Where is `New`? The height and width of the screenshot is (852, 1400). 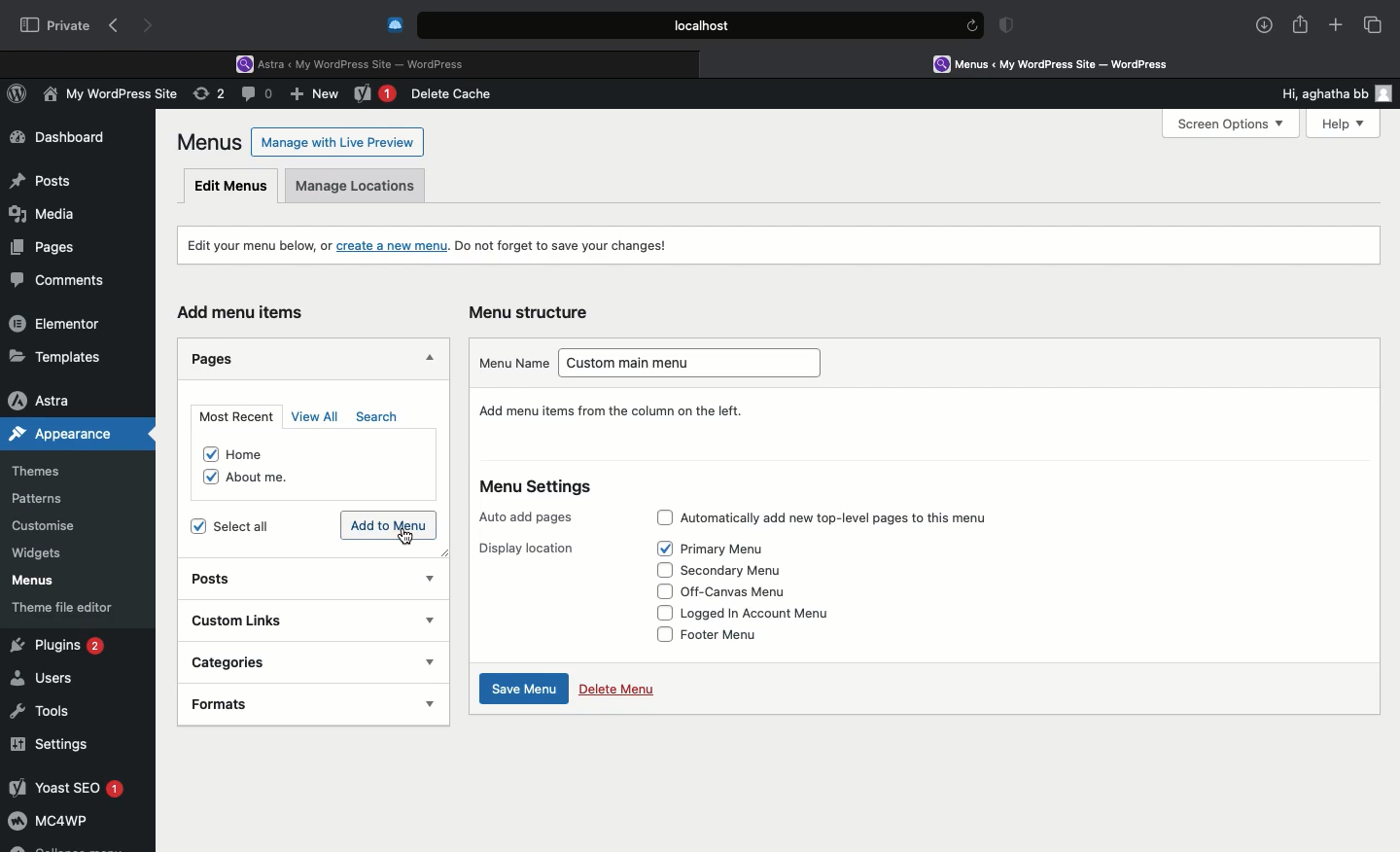 New is located at coordinates (375, 95).